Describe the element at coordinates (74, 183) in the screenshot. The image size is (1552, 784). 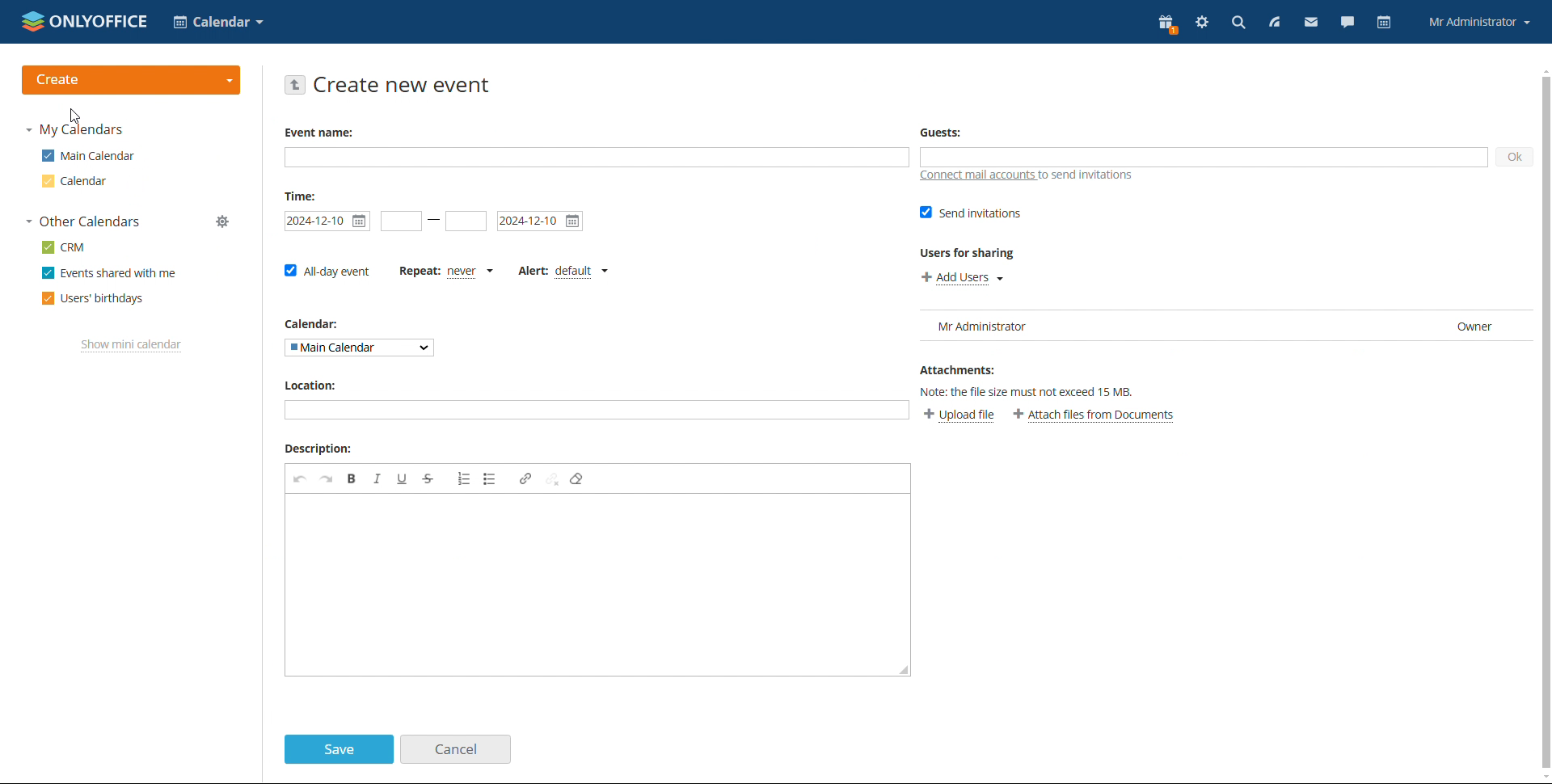
I see `calendar` at that location.